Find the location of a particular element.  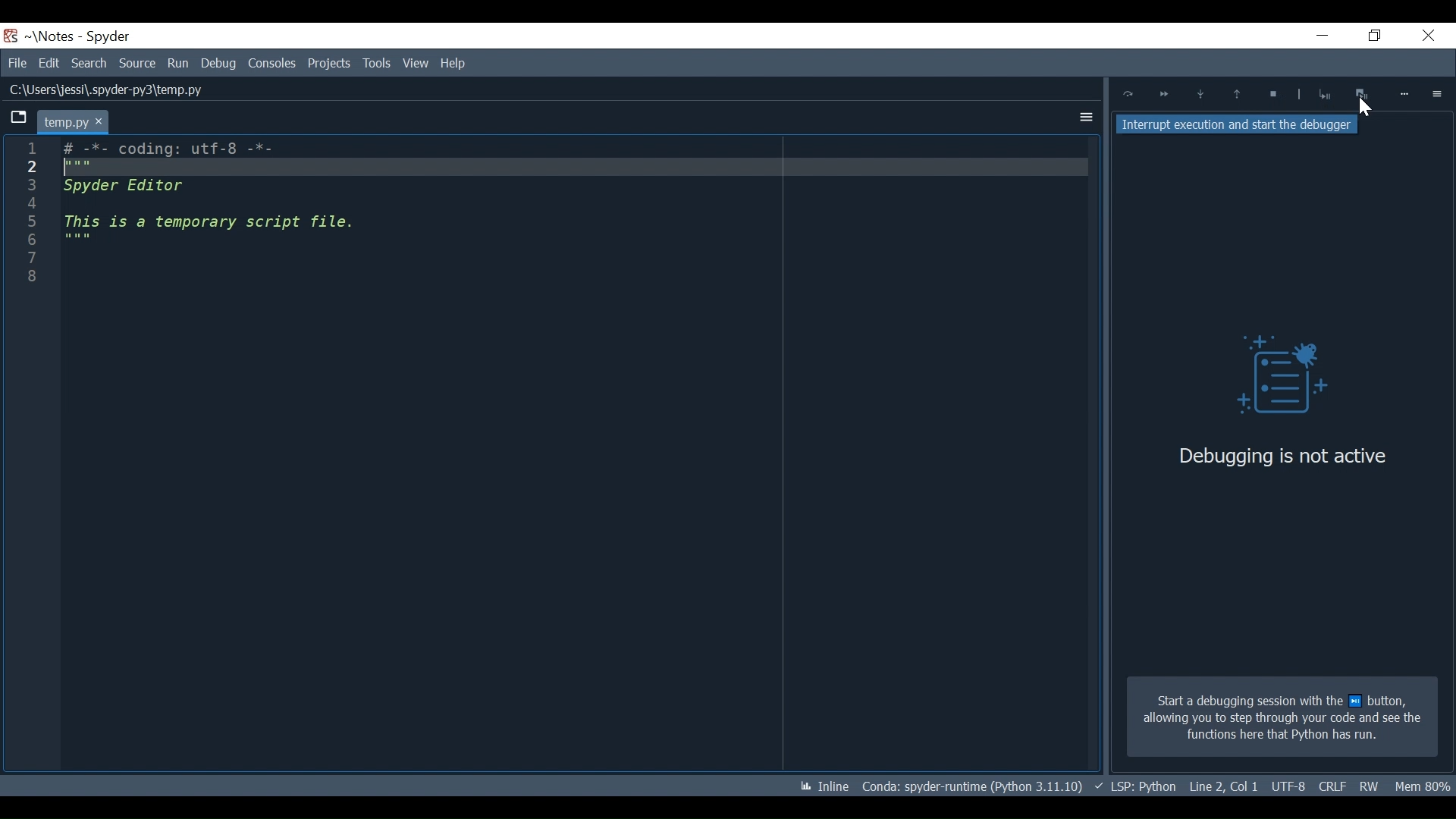

Stop Debugging is located at coordinates (1275, 94).